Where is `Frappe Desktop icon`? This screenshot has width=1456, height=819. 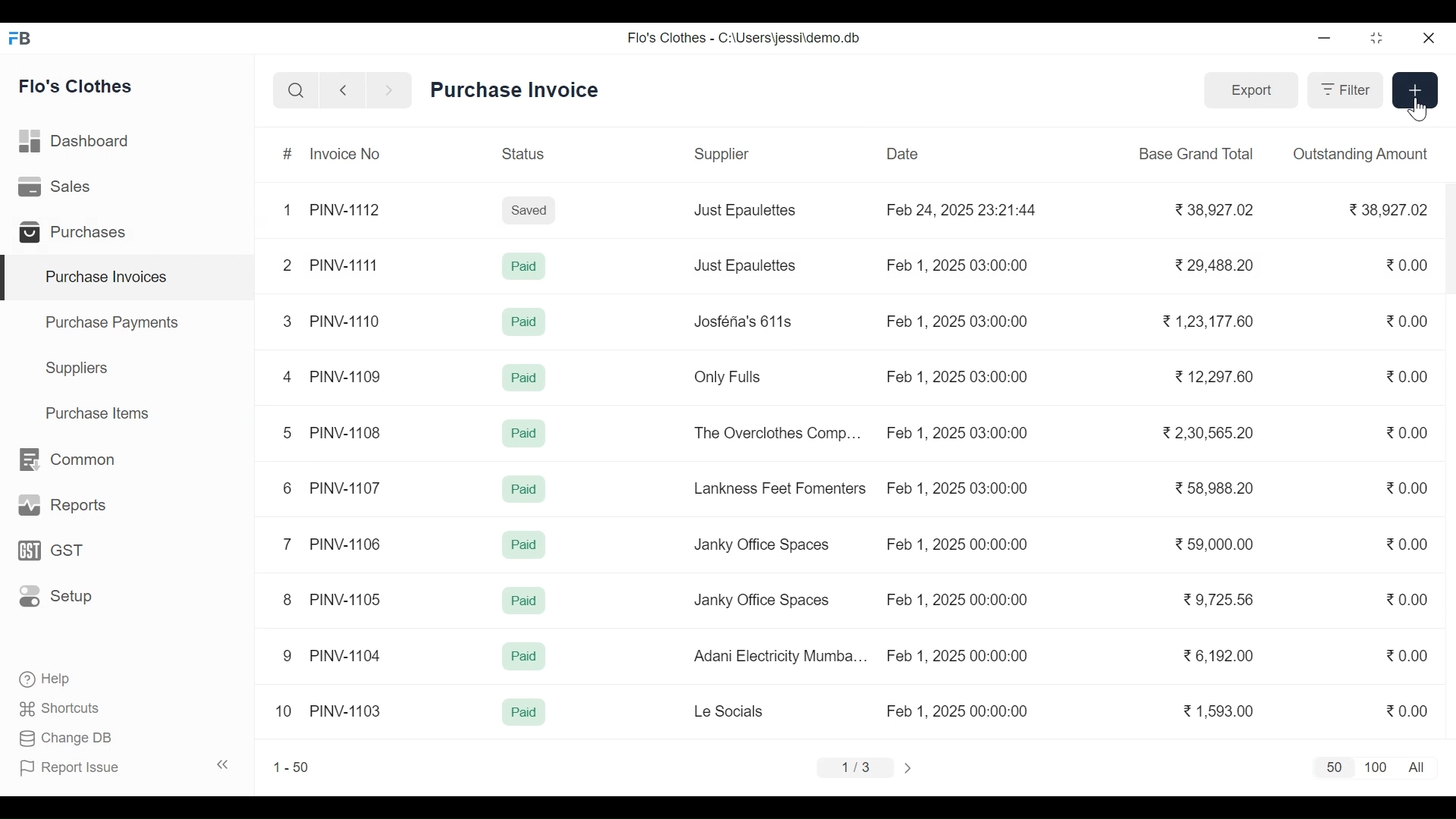
Frappe Desktop icon is located at coordinates (24, 39).